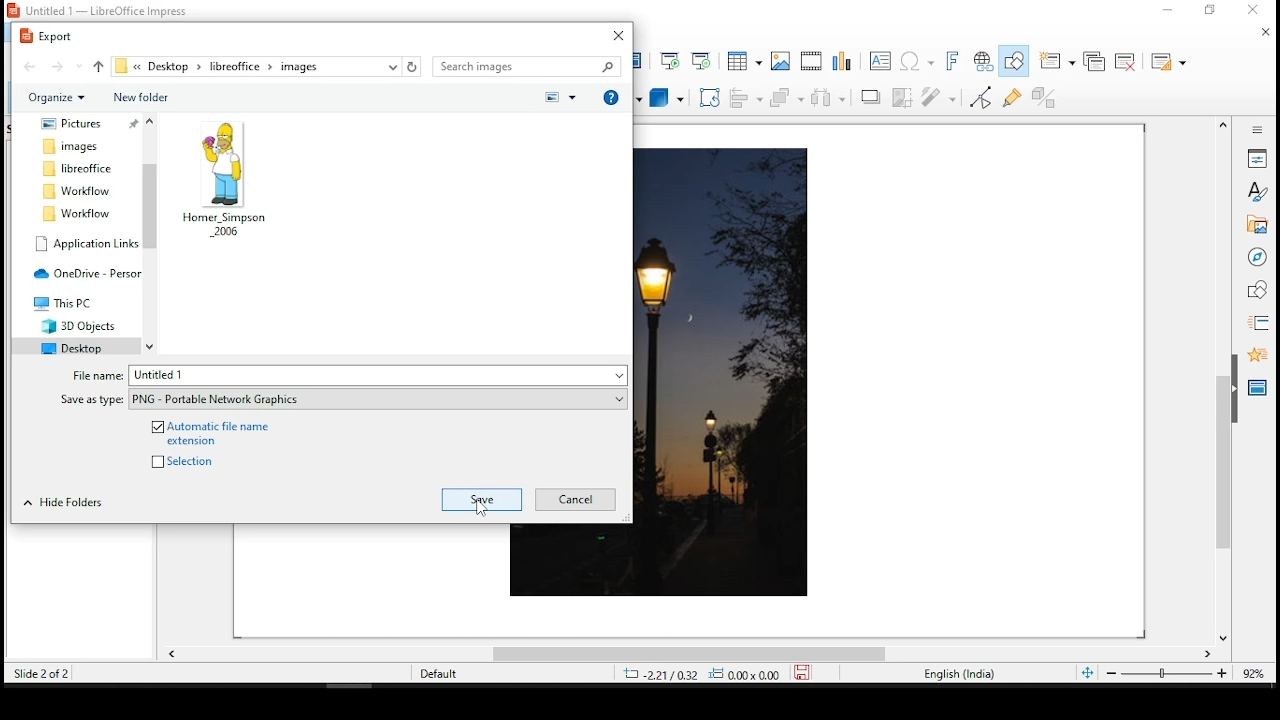 The width and height of the screenshot is (1280, 720). What do you see at coordinates (641, 60) in the screenshot?
I see `master slide` at bounding box center [641, 60].